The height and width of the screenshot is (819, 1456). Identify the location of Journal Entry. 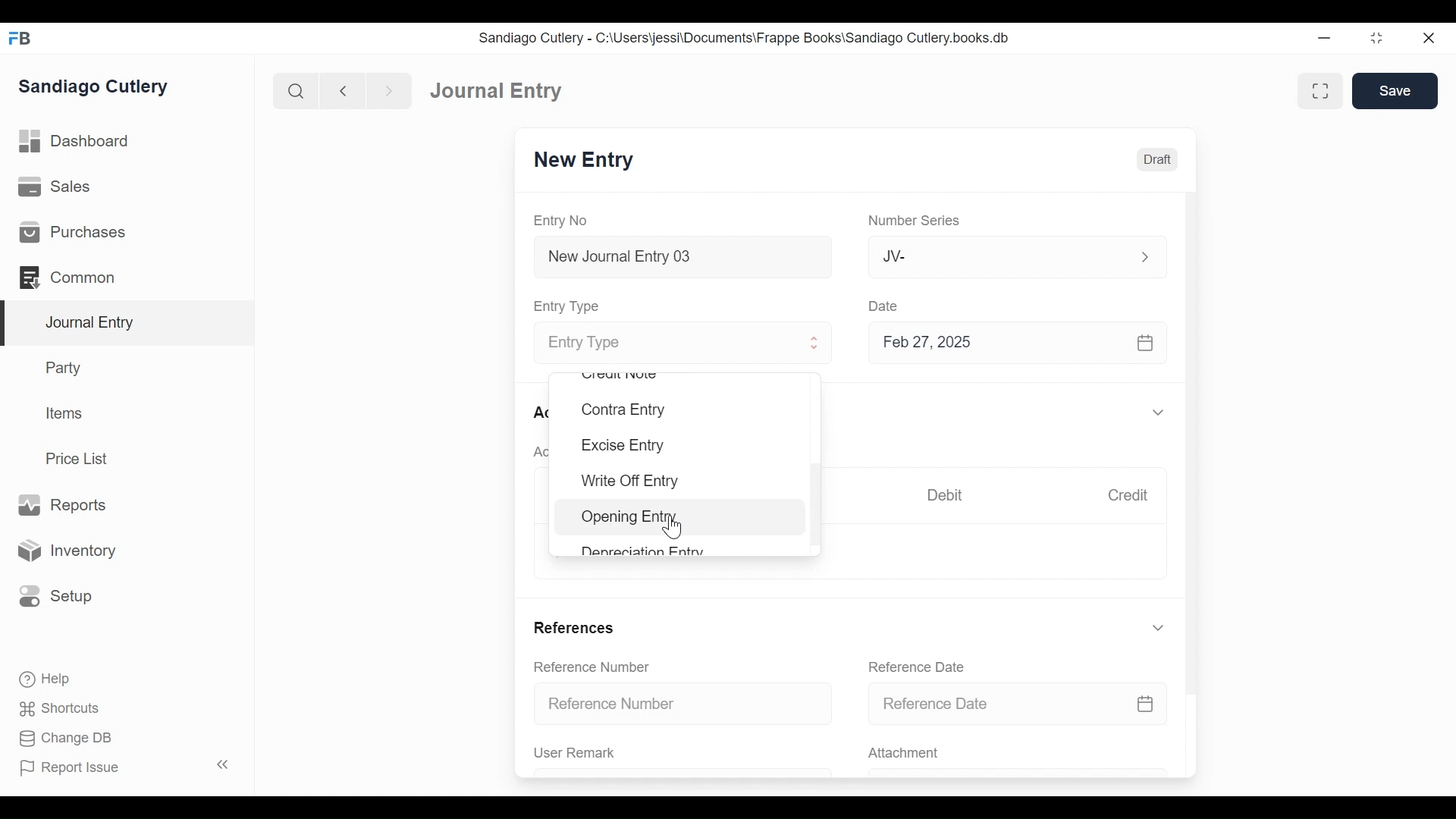
(498, 91).